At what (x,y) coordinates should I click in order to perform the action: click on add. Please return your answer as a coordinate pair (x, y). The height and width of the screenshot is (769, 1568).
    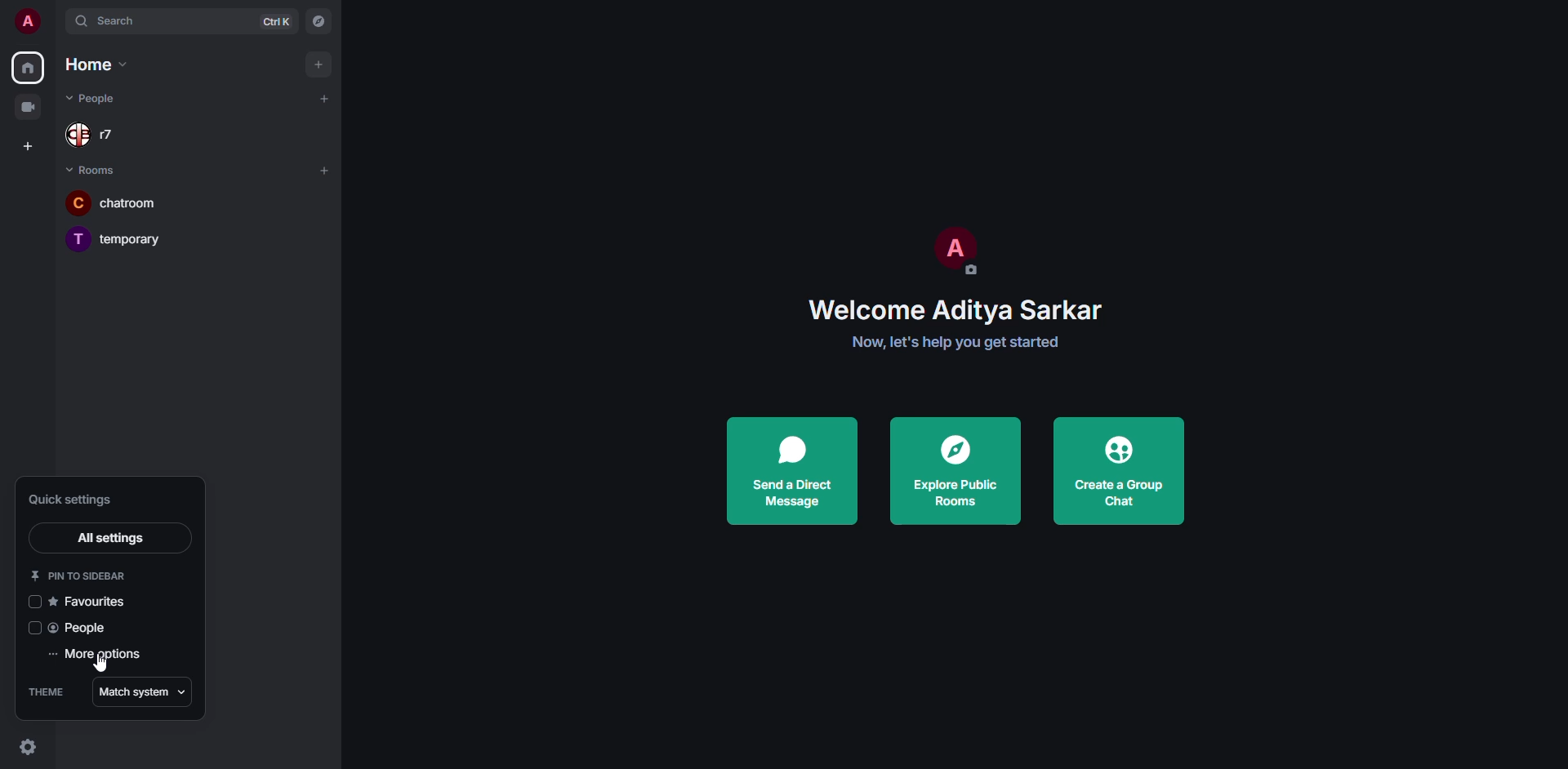
    Looking at the image, I should click on (326, 169).